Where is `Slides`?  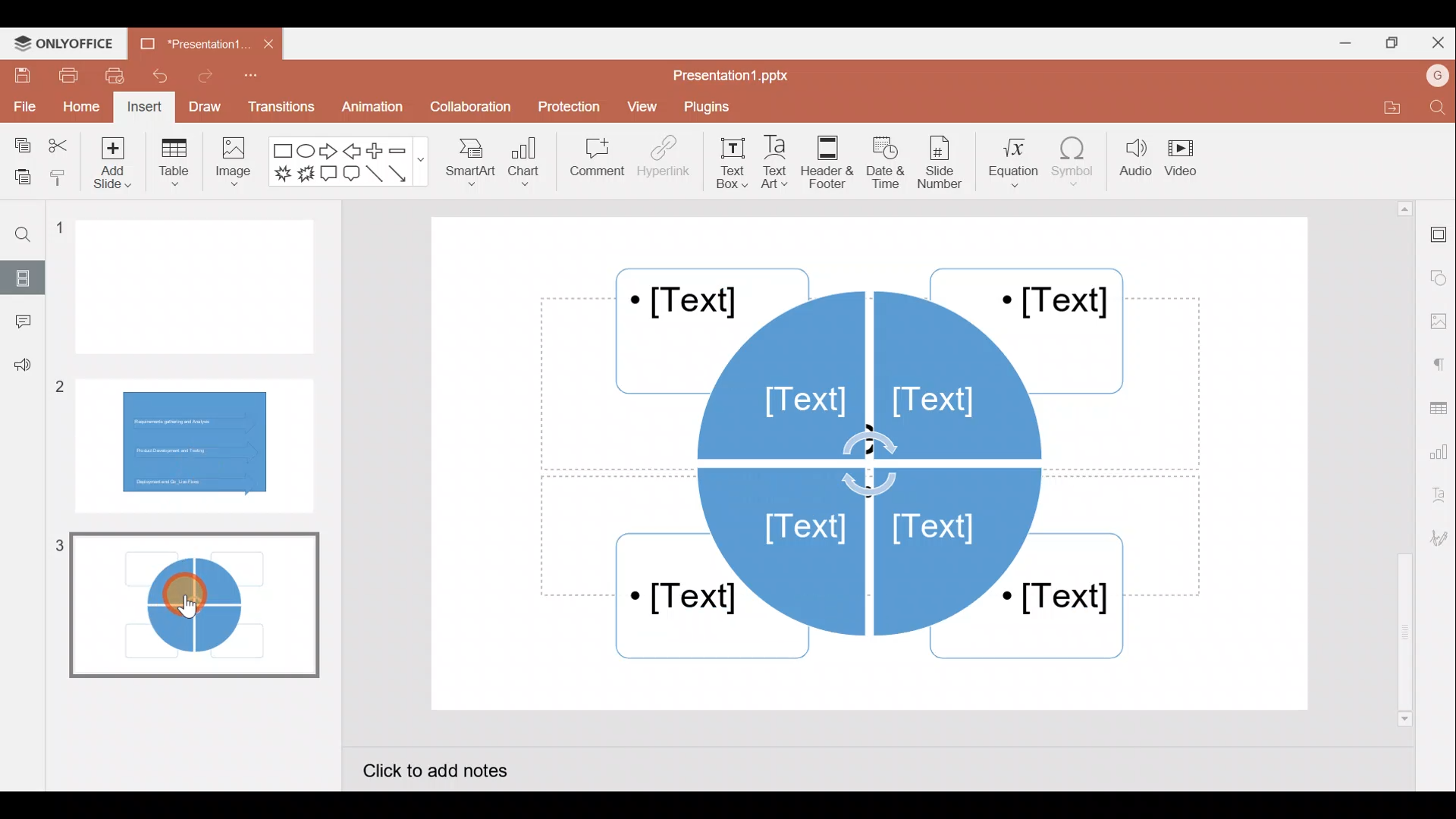
Slides is located at coordinates (27, 275).